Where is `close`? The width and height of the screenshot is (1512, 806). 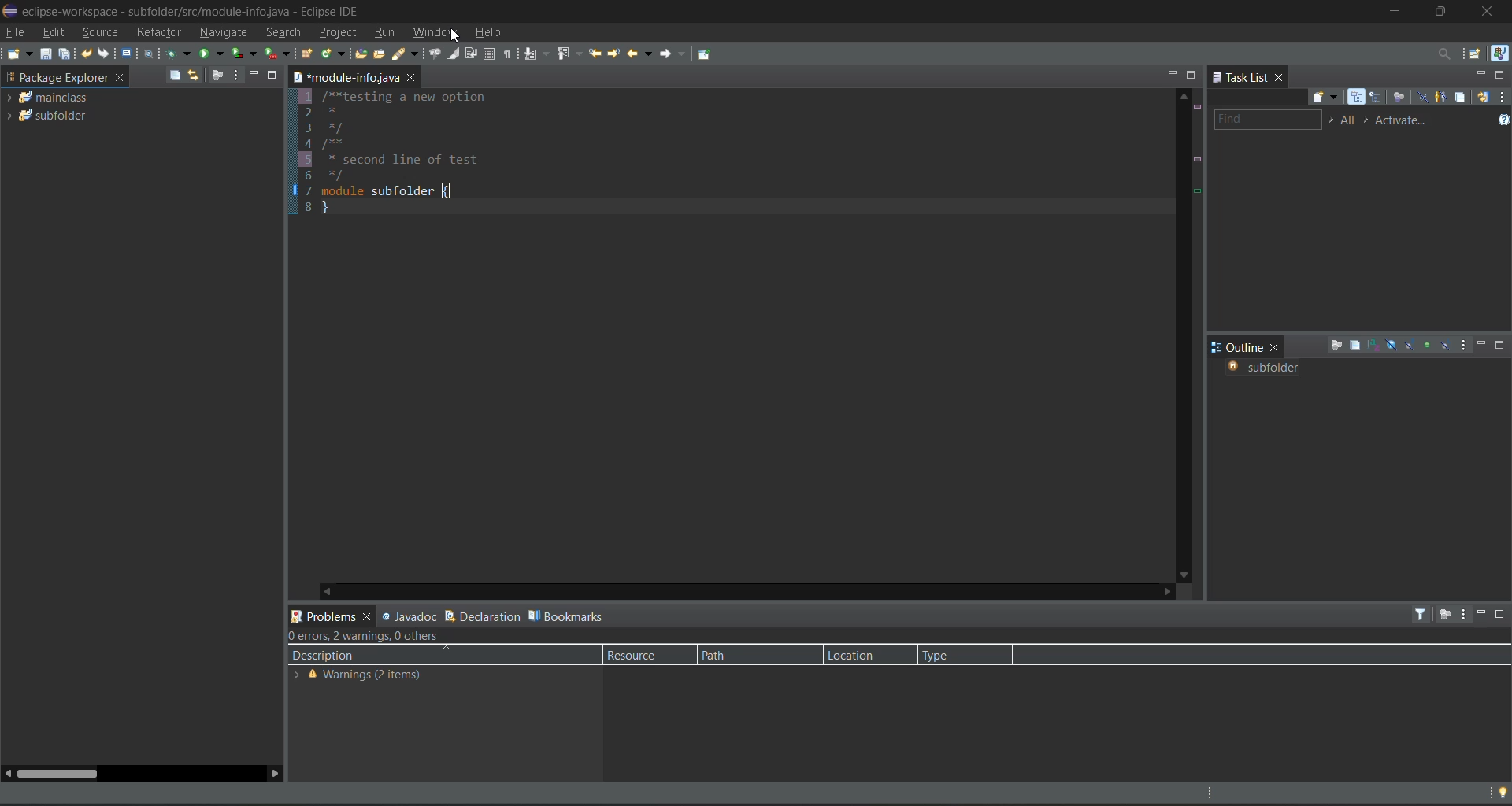 close is located at coordinates (122, 79).